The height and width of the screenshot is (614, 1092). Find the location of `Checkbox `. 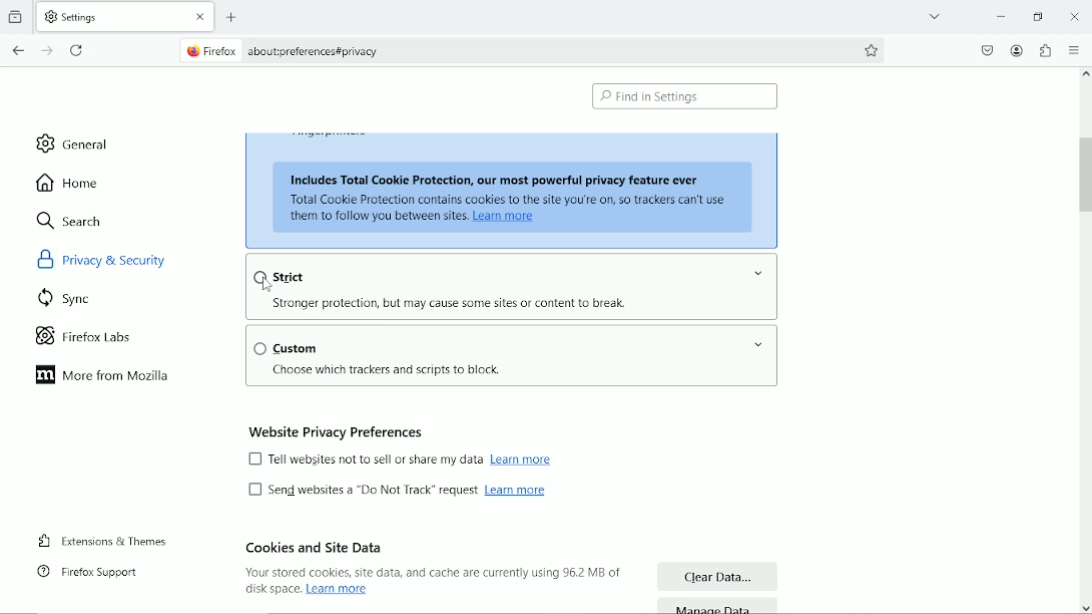

Checkbox  is located at coordinates (258, 348).